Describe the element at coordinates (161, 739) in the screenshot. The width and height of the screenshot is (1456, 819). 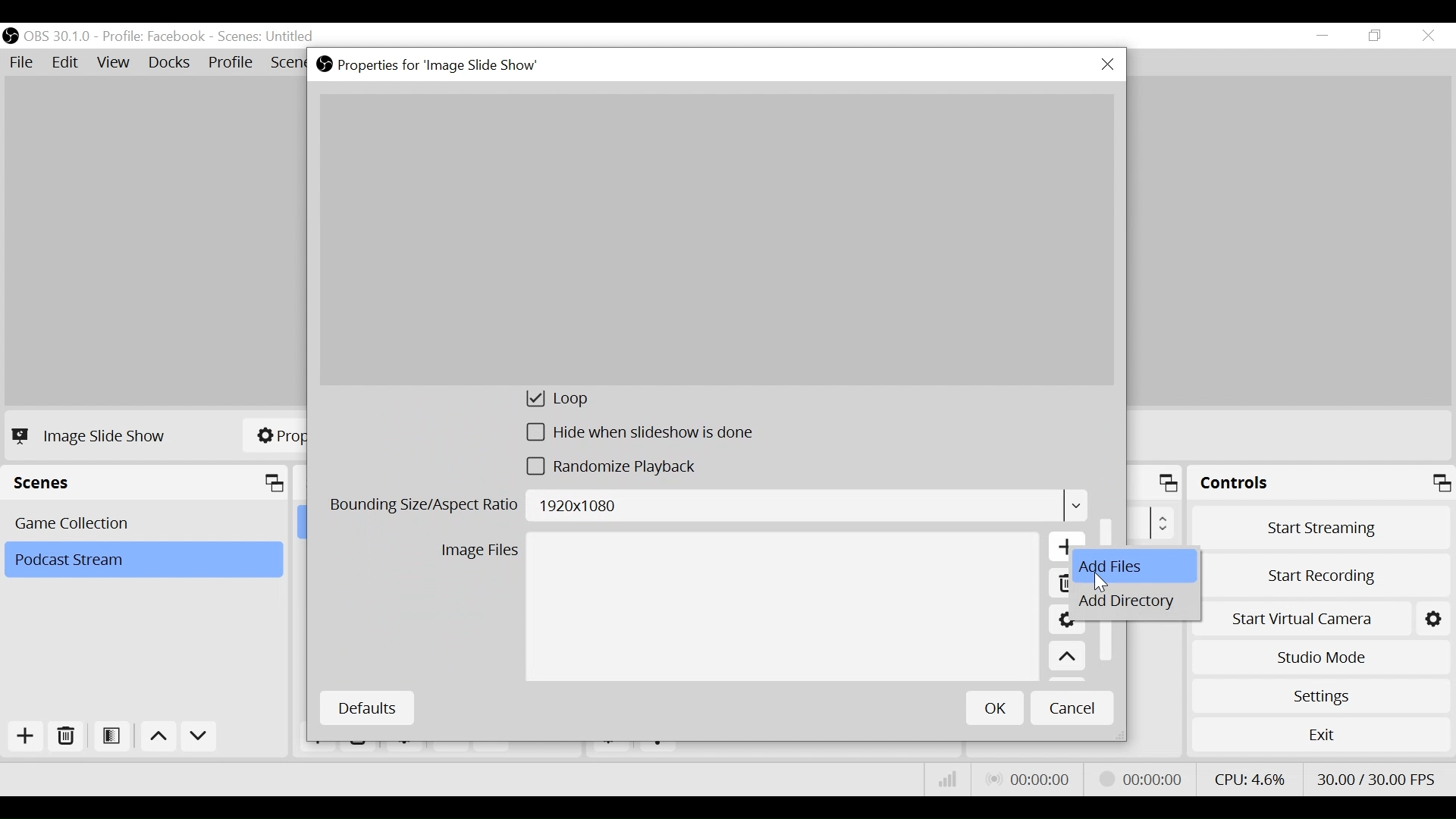
I see `Move up` at that location.